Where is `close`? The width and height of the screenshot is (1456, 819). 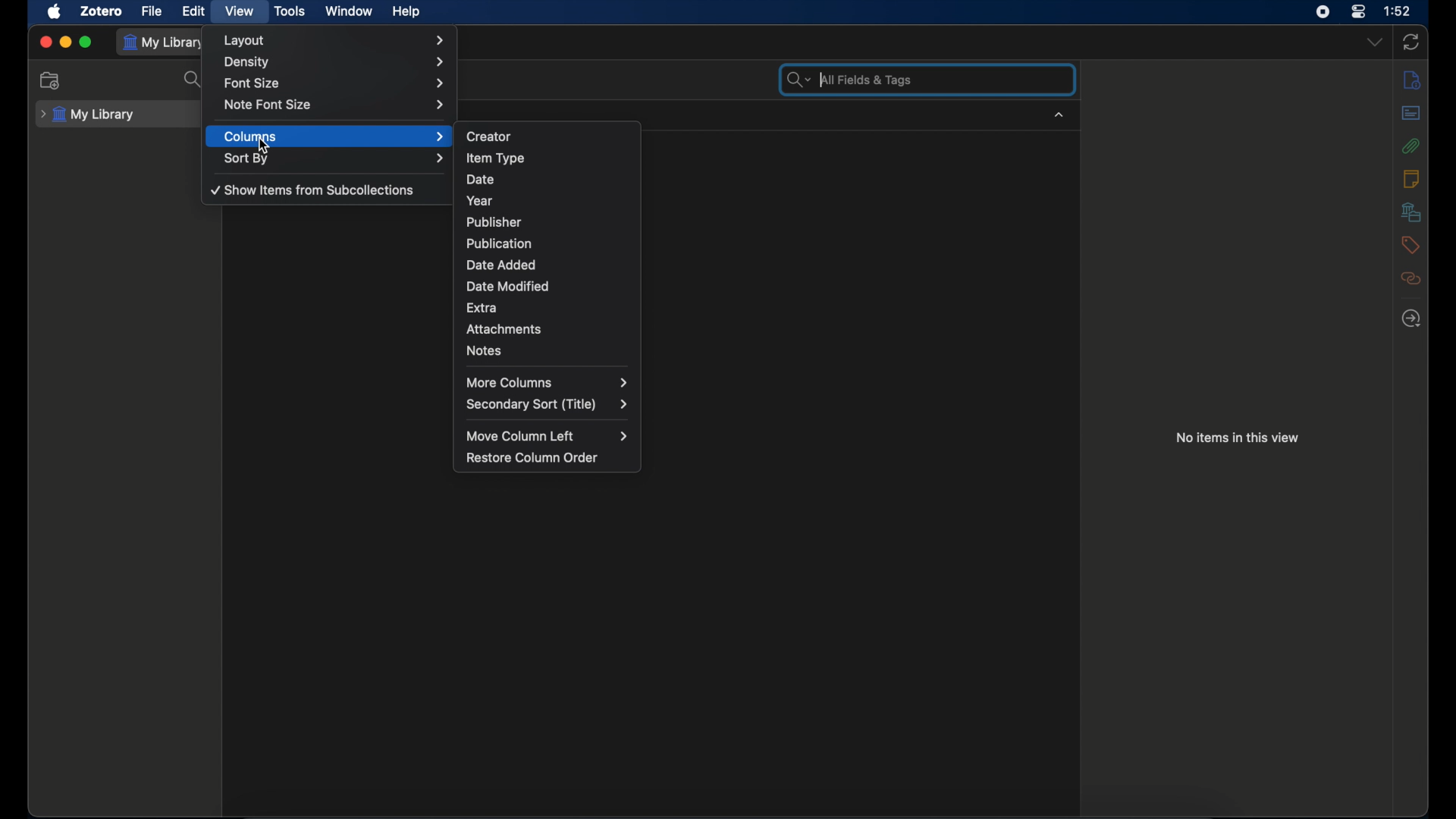 close is located at coordinates (45, 43).